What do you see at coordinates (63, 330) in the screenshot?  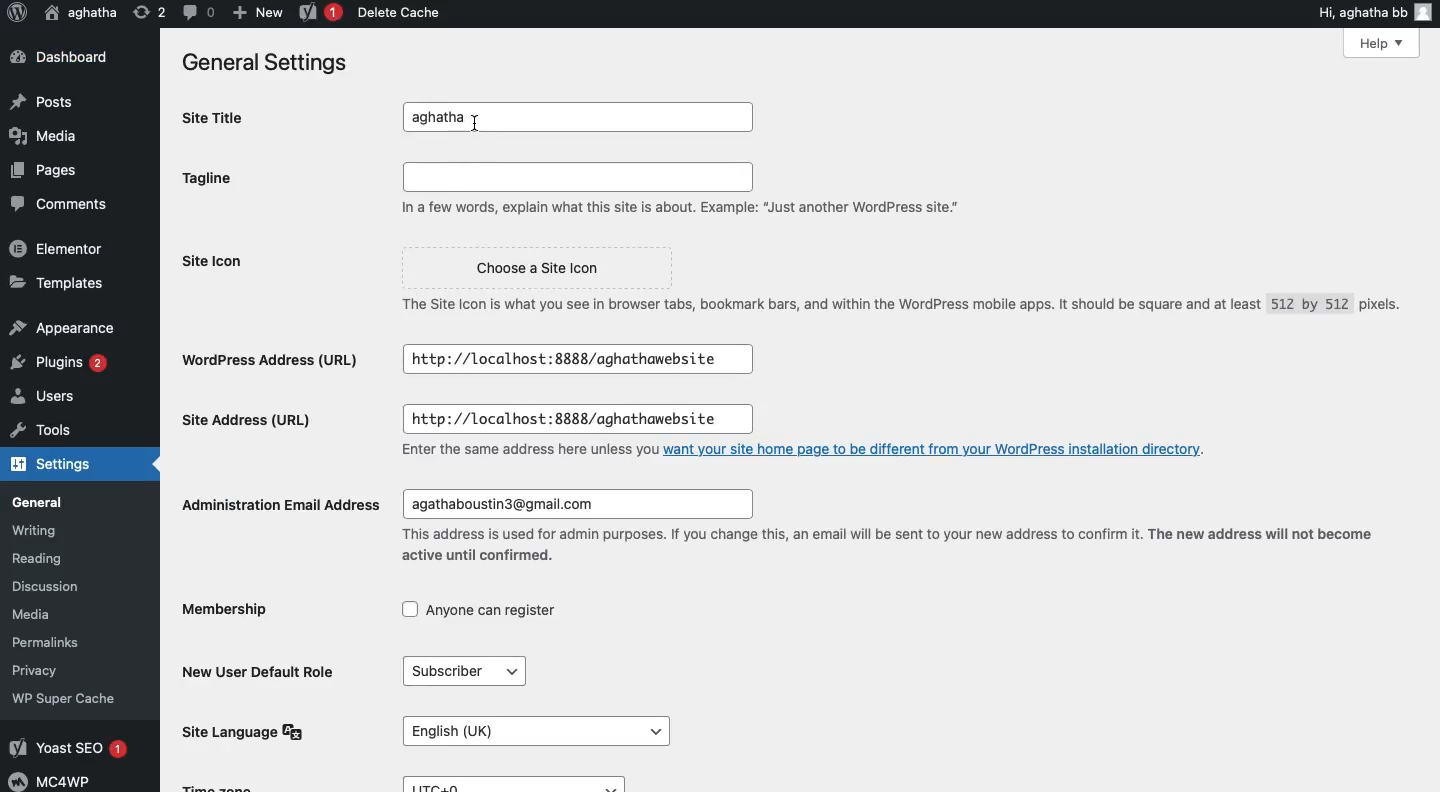 I see `Appearance` at bounding box center [63, 330].